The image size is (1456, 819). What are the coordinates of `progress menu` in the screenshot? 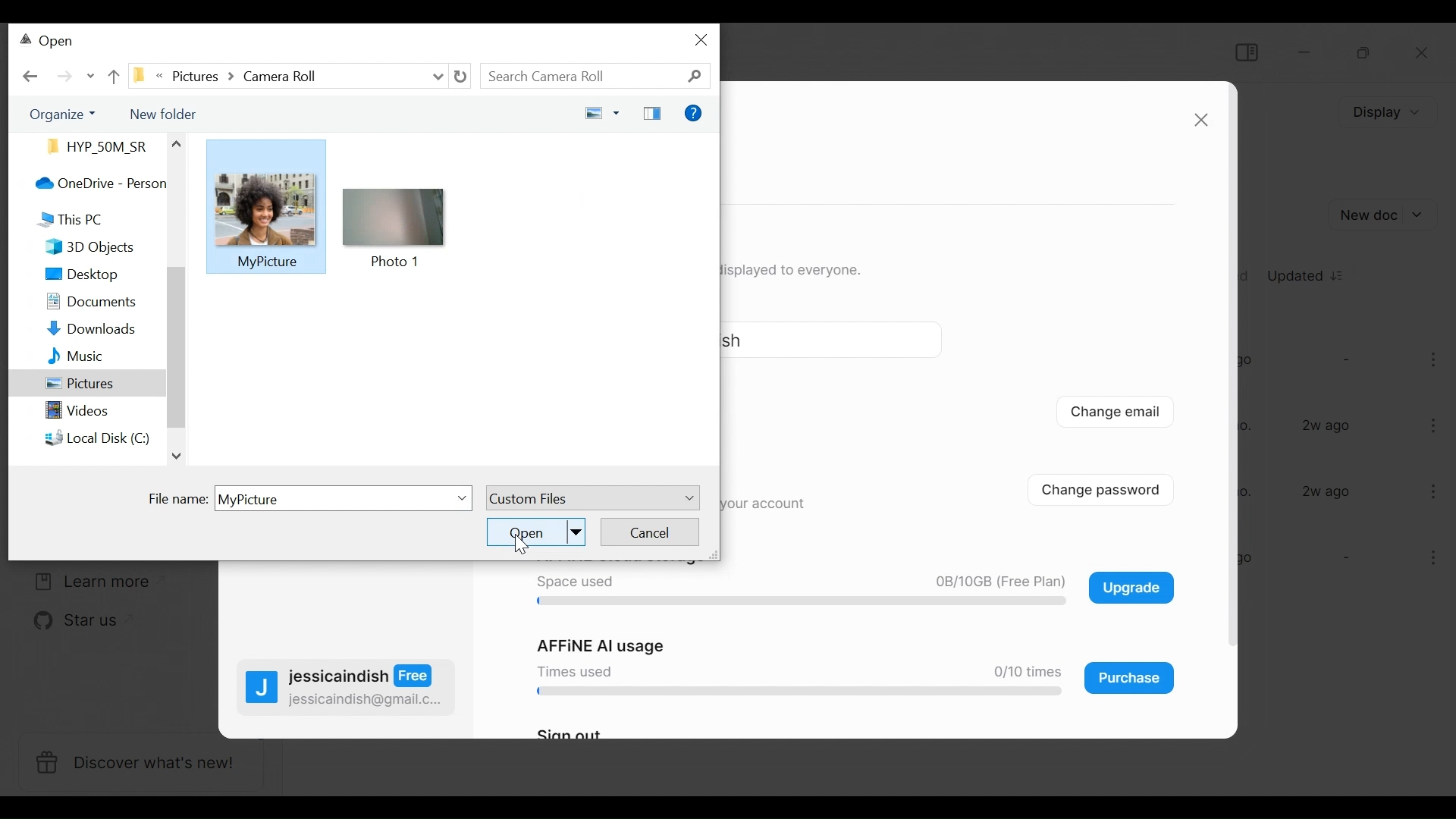 It's located at (802, 603).